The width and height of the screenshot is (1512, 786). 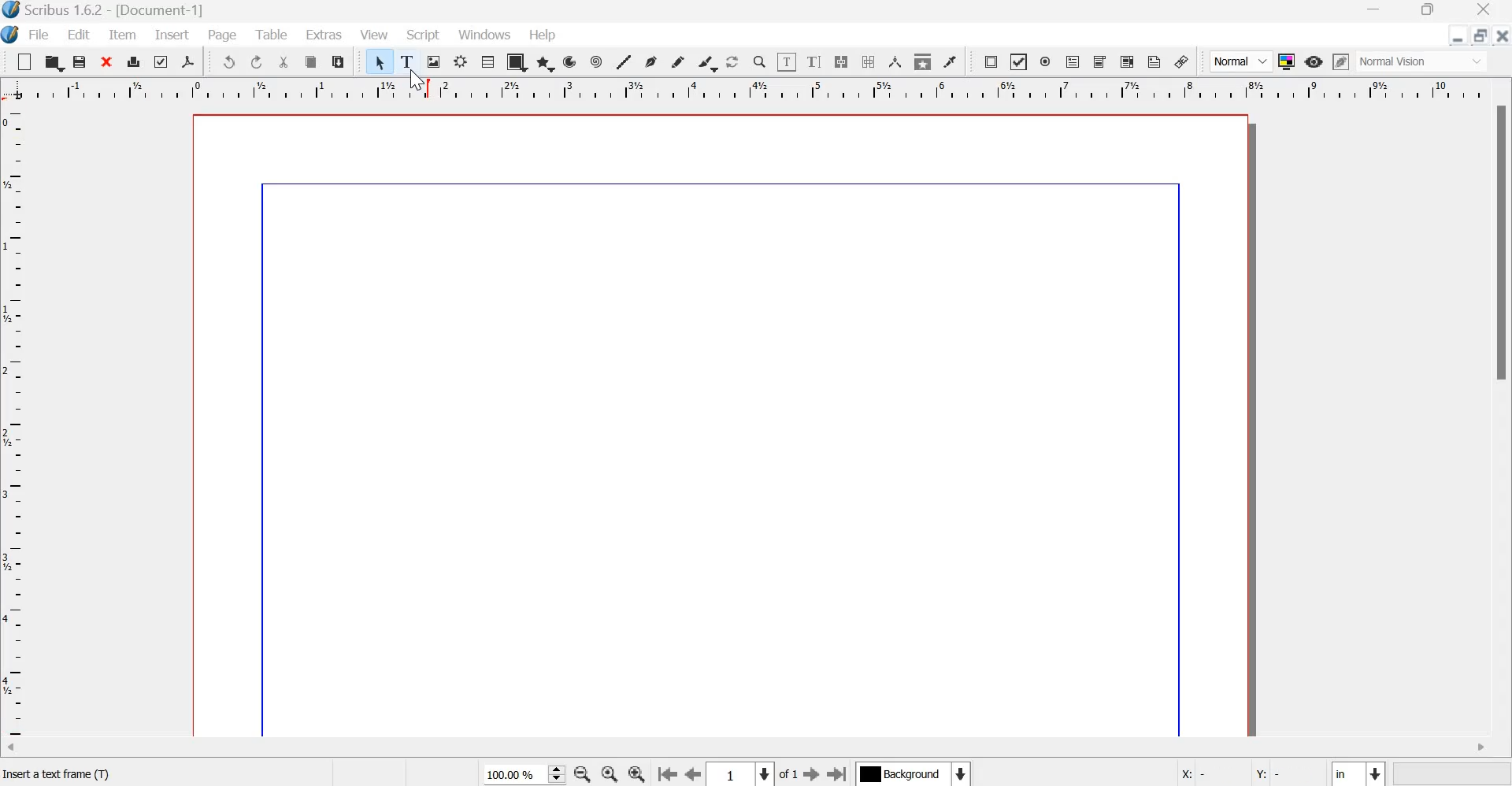 I want to click on measurements, so click(x=895, y=61).